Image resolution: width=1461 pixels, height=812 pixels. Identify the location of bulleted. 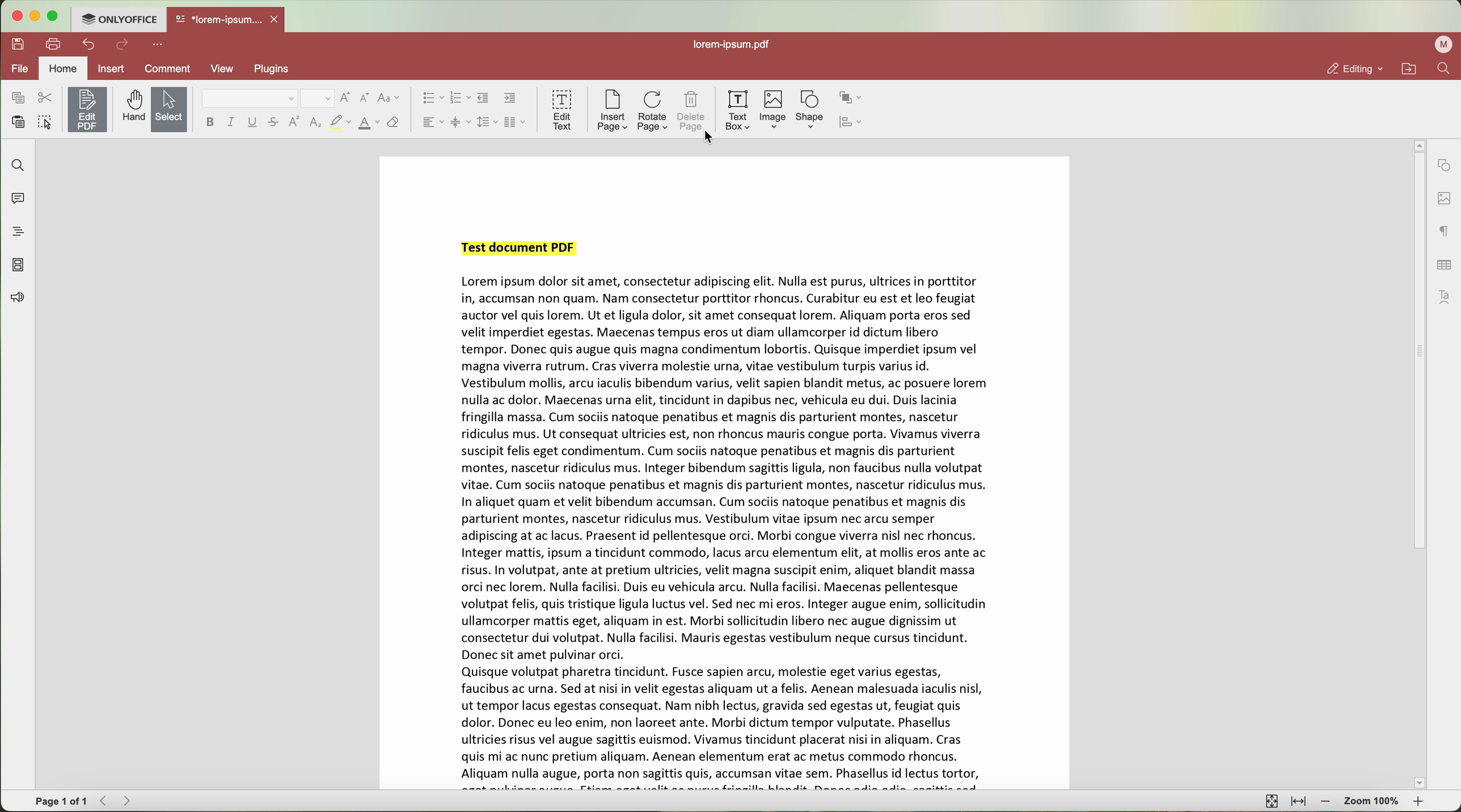
(433, 99).